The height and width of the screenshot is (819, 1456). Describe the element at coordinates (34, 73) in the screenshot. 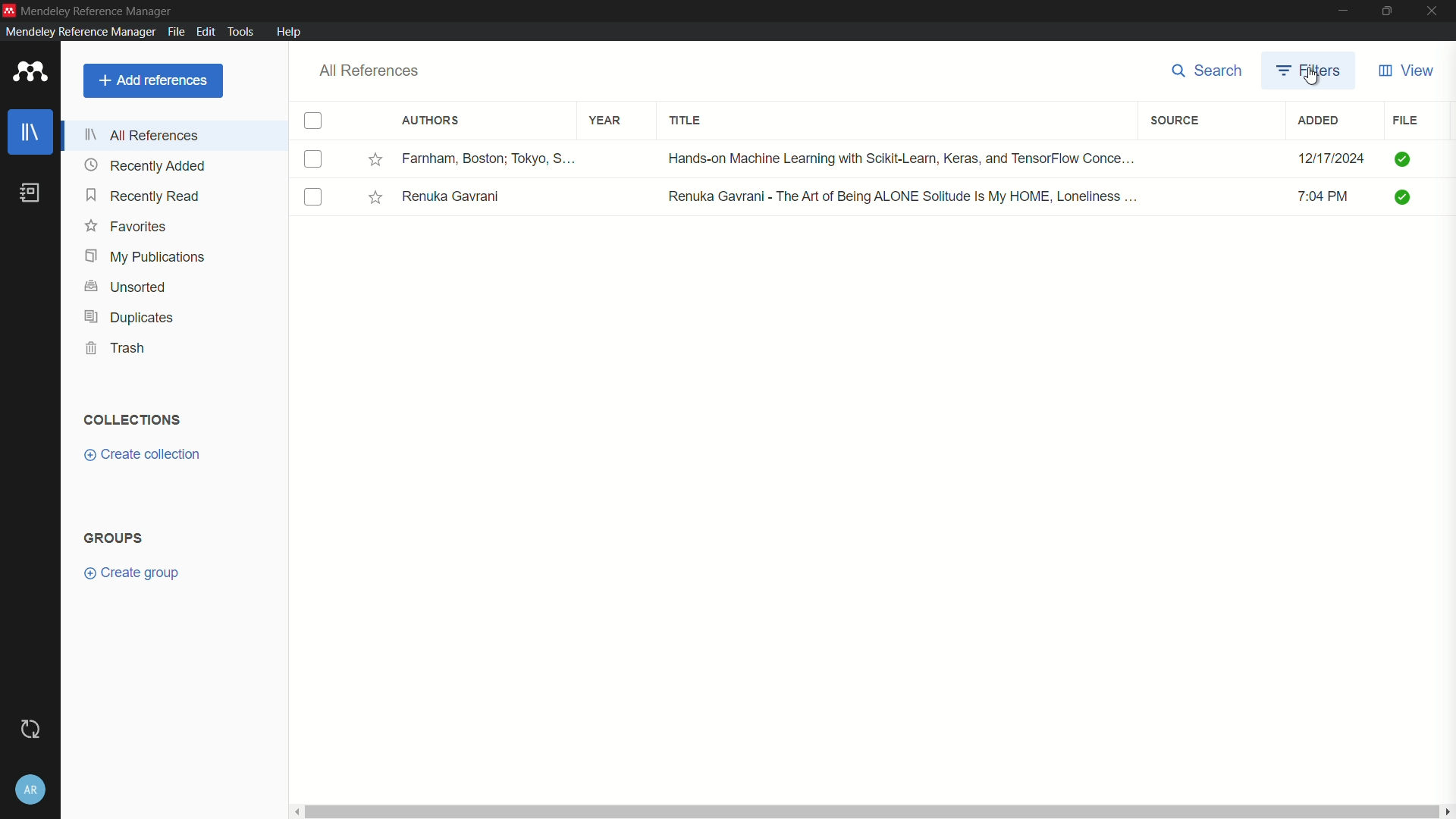

I see `app icon` at that location.